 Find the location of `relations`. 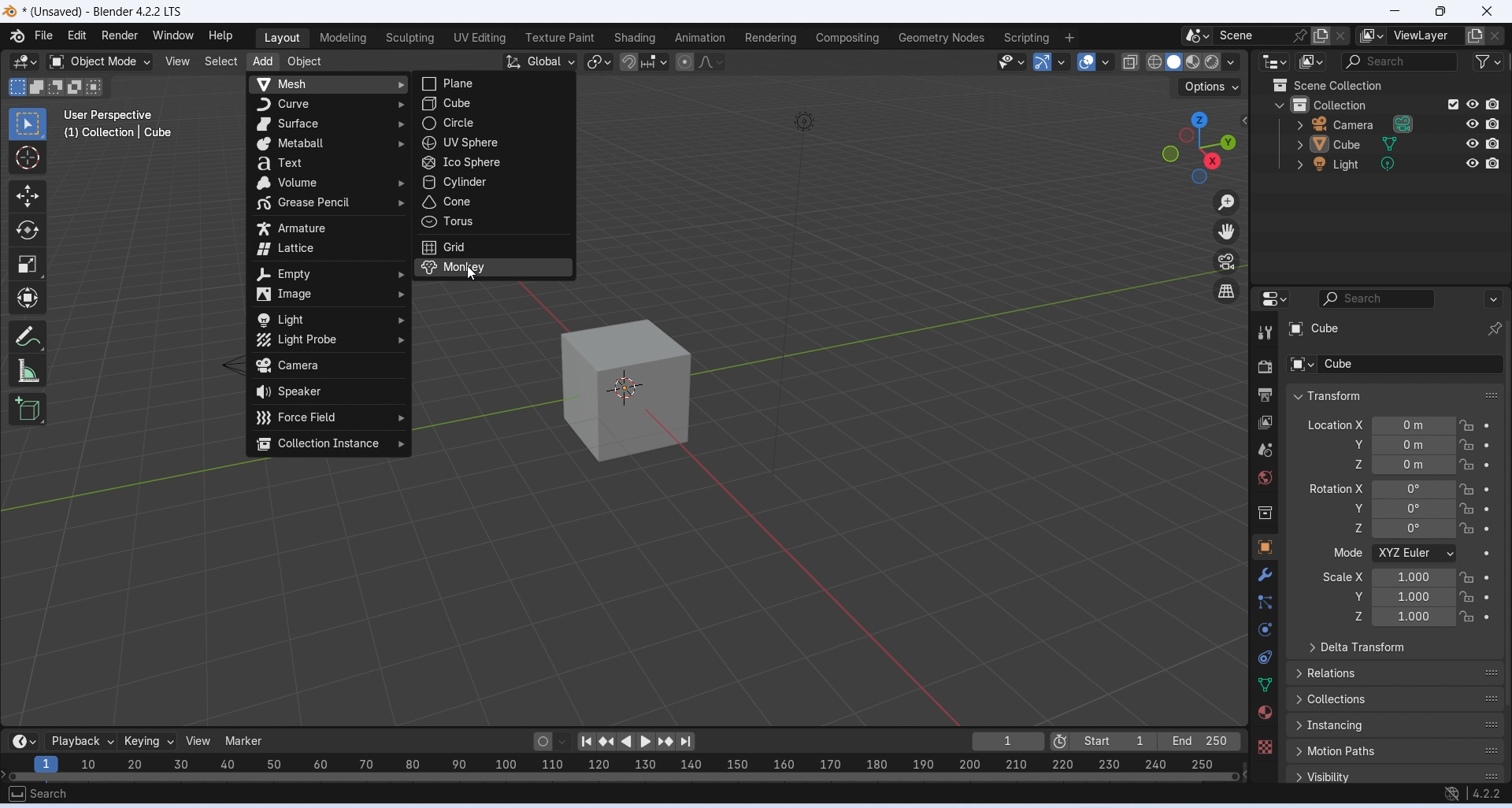

relations is located at coordinates (1396, 672).